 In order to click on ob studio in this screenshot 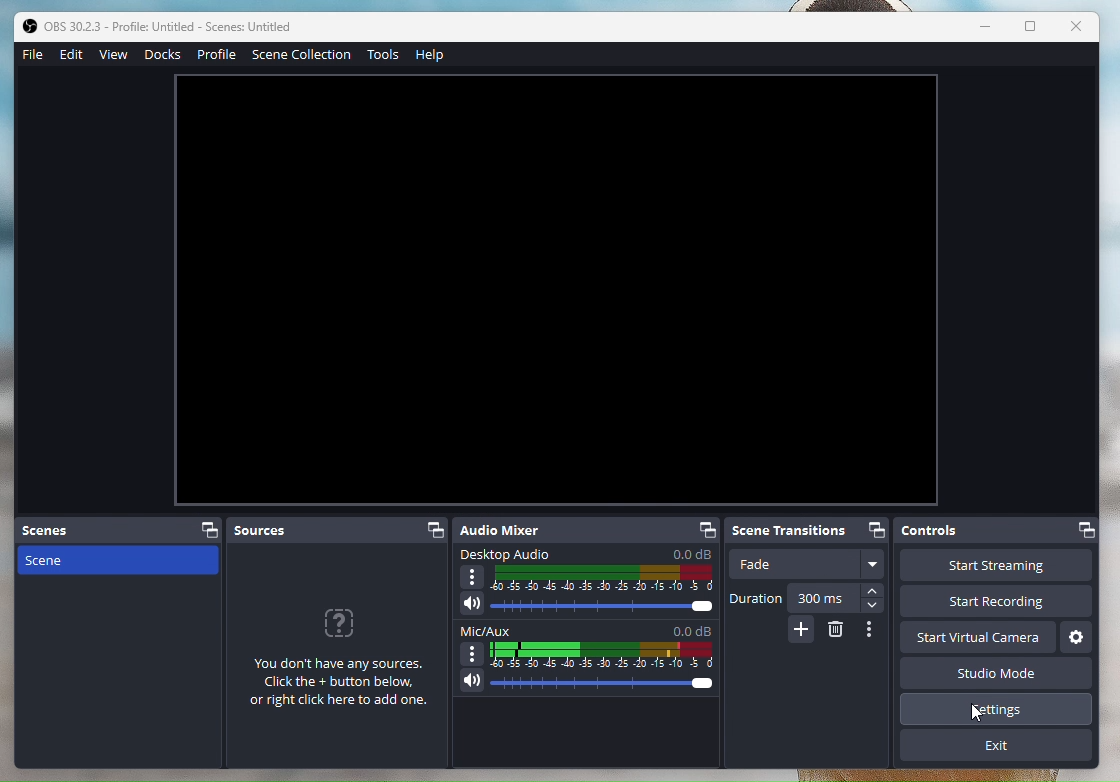, I will do `click(171, 27)`.